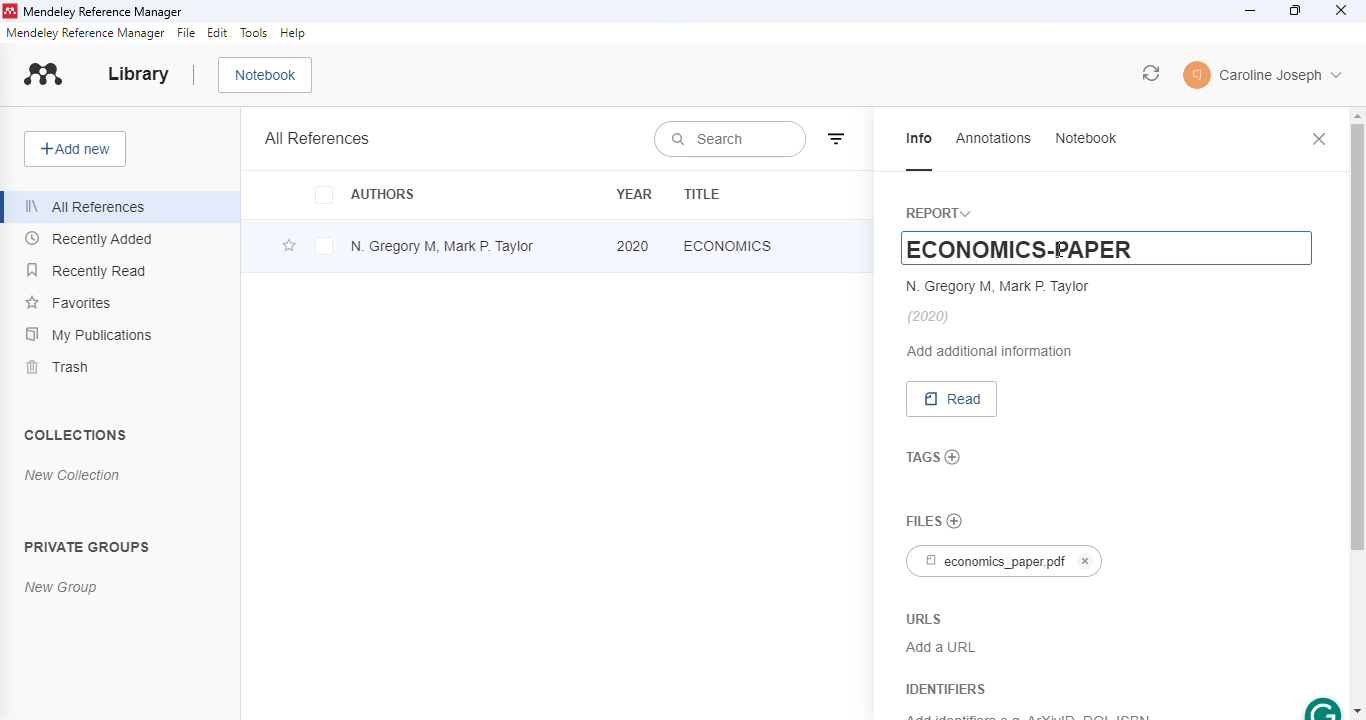 The height and width of the screenshot is (720, 1366). Describe the element at coordinates (1322, 708) in the screenshot. I see `grammarly extension` at that location.